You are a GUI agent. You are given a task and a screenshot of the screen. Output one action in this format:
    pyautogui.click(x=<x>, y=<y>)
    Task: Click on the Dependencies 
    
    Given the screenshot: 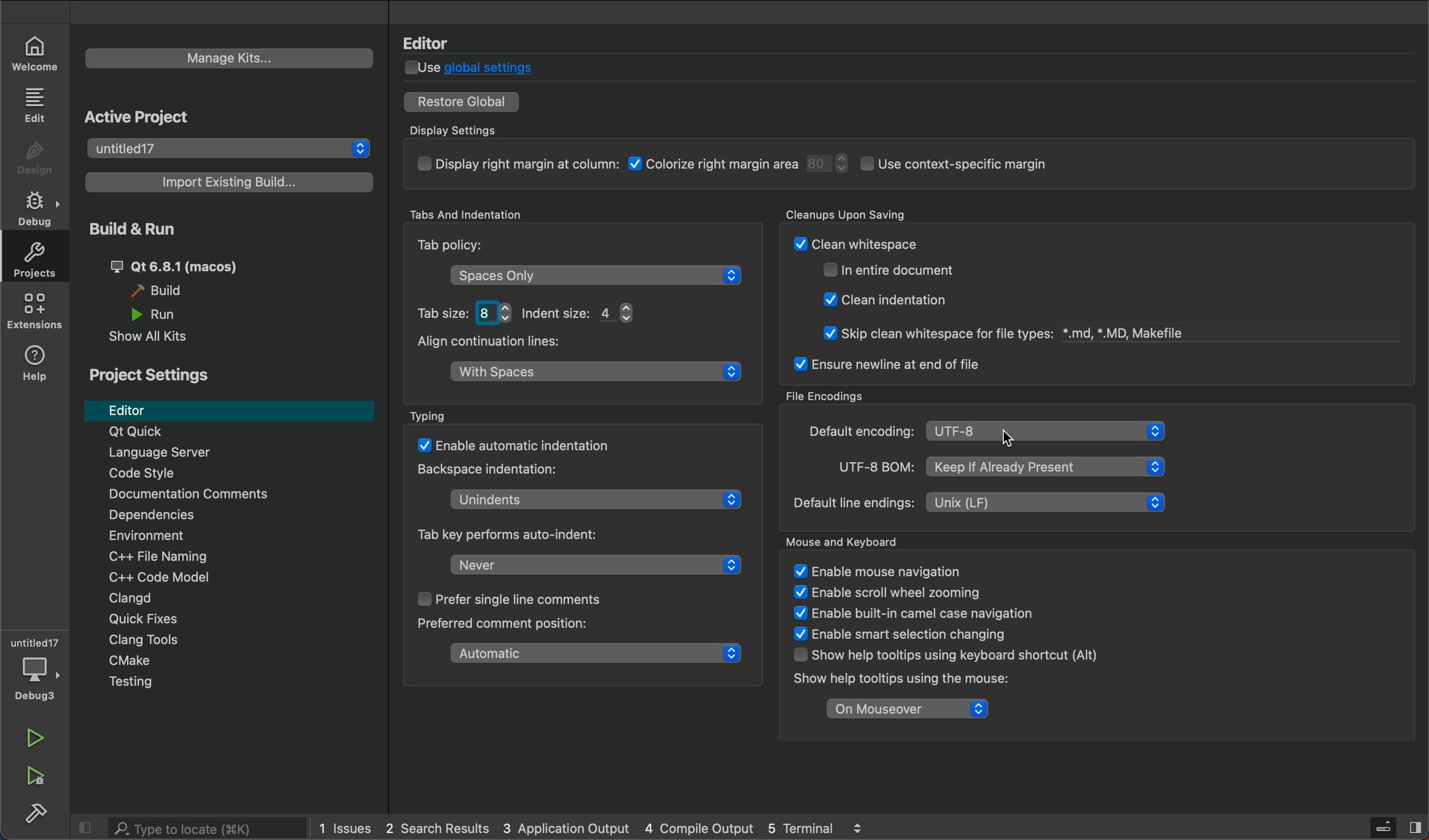 What is the action you would take?
    pyautogui.click(x=222, y=515)
    